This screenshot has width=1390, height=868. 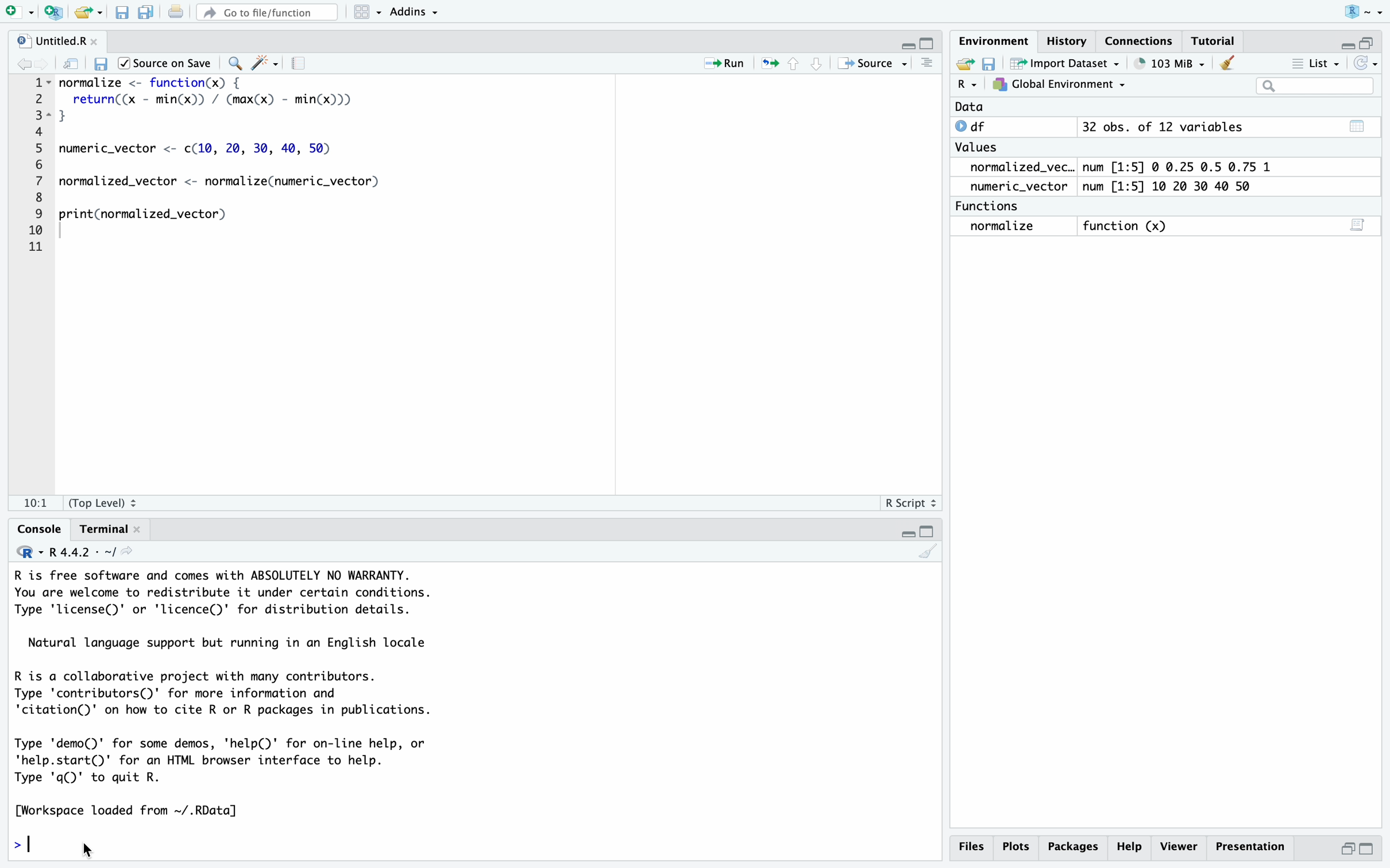 I want to click on Create a project, so click(x=53, y=13).